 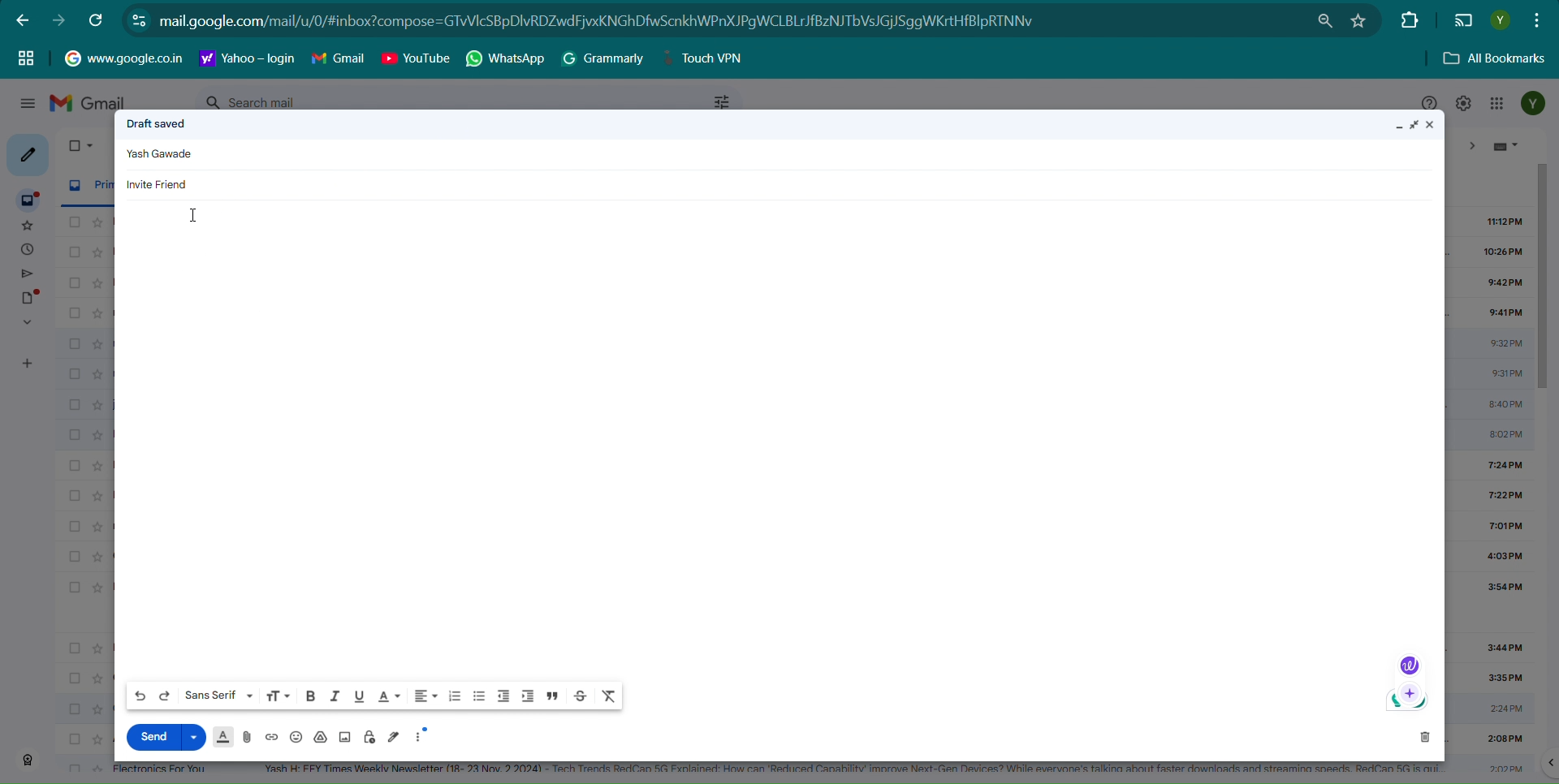 What do you see at coordinates (23, 19) in the screenshot?
I see `back` at bounding box center [23, 19].